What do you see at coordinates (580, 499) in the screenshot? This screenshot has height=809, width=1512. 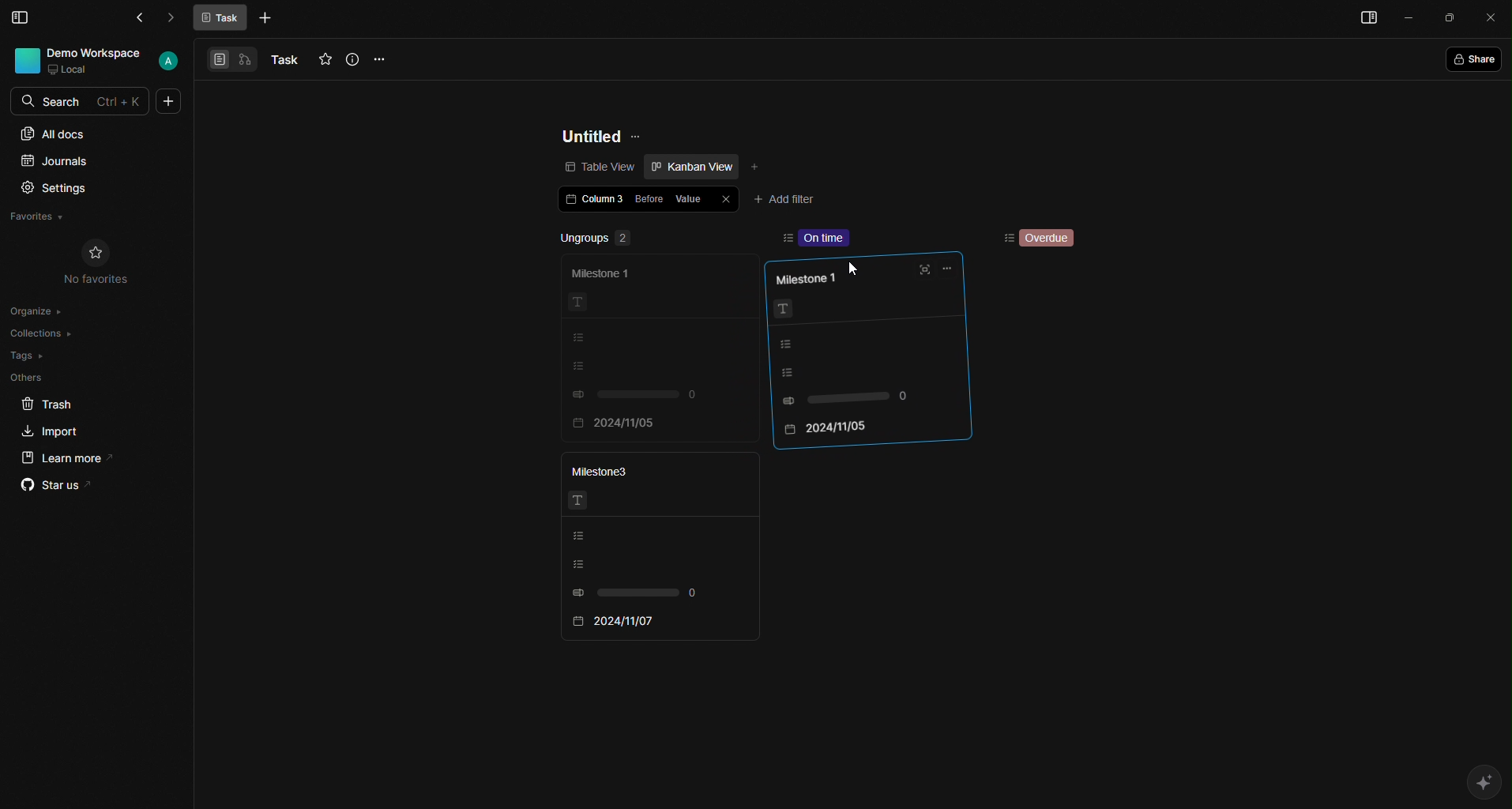 I see `Text` at bounding box center [580, 499].